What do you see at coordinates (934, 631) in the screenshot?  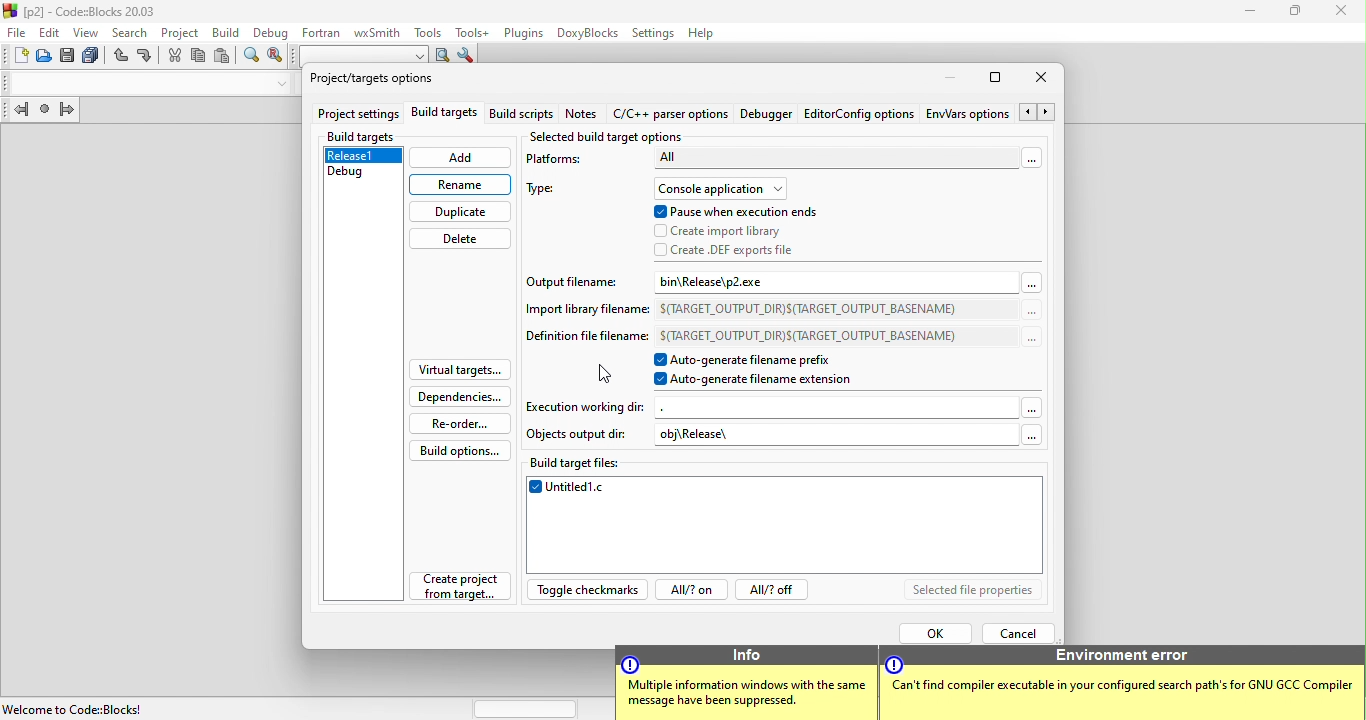 I see `ok` at bounding box center [934, 631].